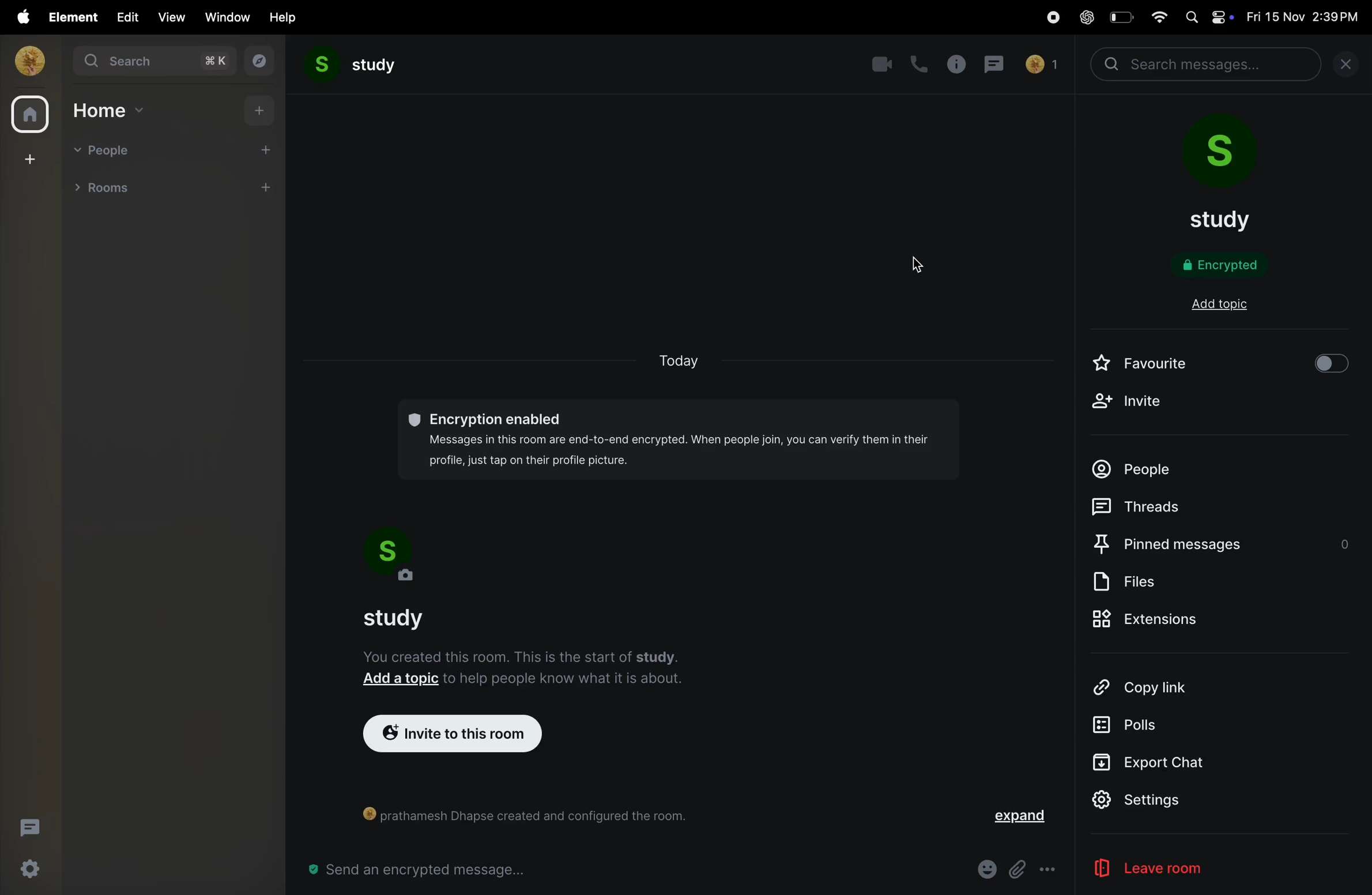 This screenshot has height=895, width=1372. What do you see at coordinates (257, 61) in the screenshot?
I see `explore` at bounding box center [257, 61].